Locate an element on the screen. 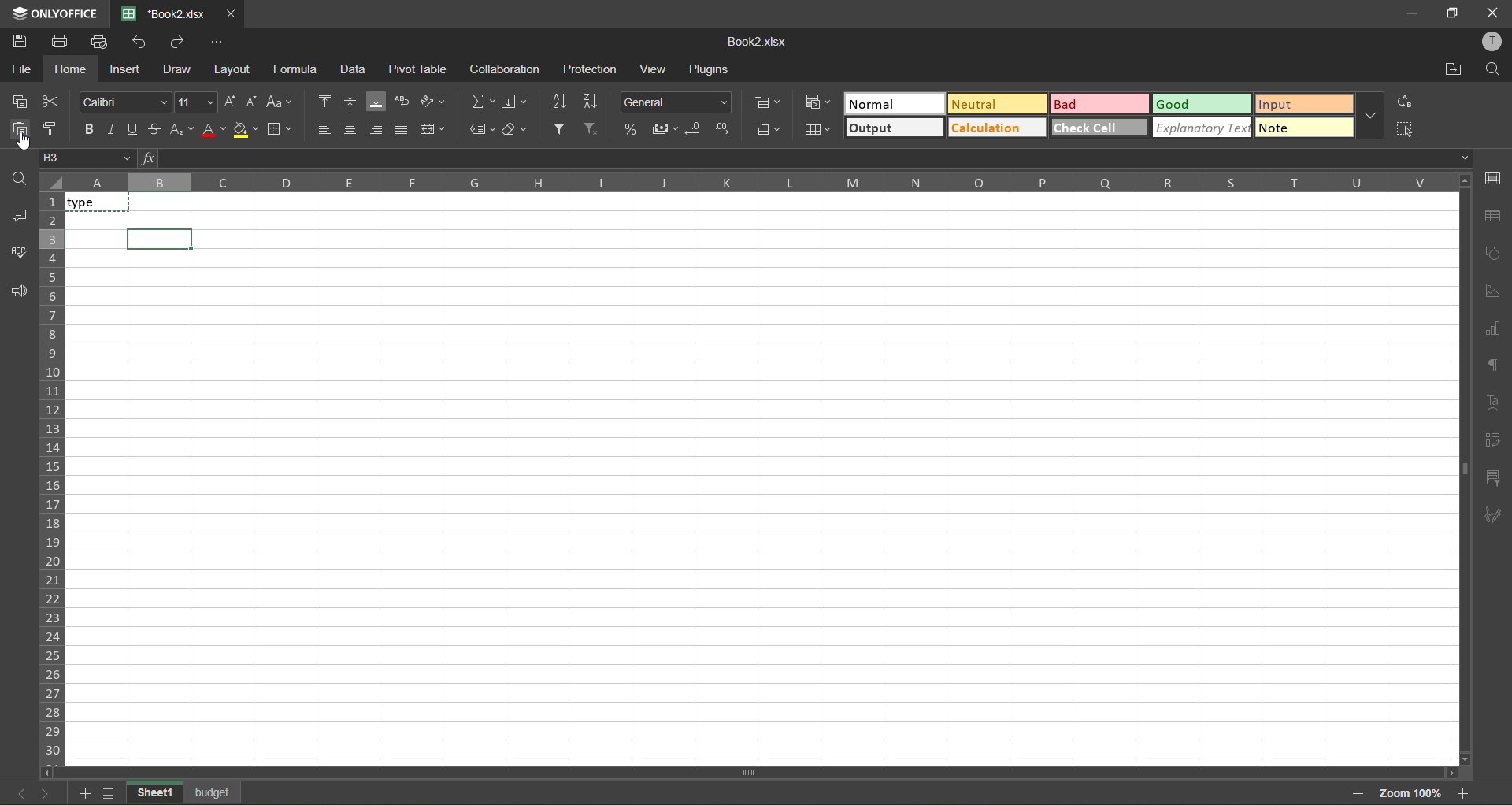  insert cells is located at coordinates (769, 102).